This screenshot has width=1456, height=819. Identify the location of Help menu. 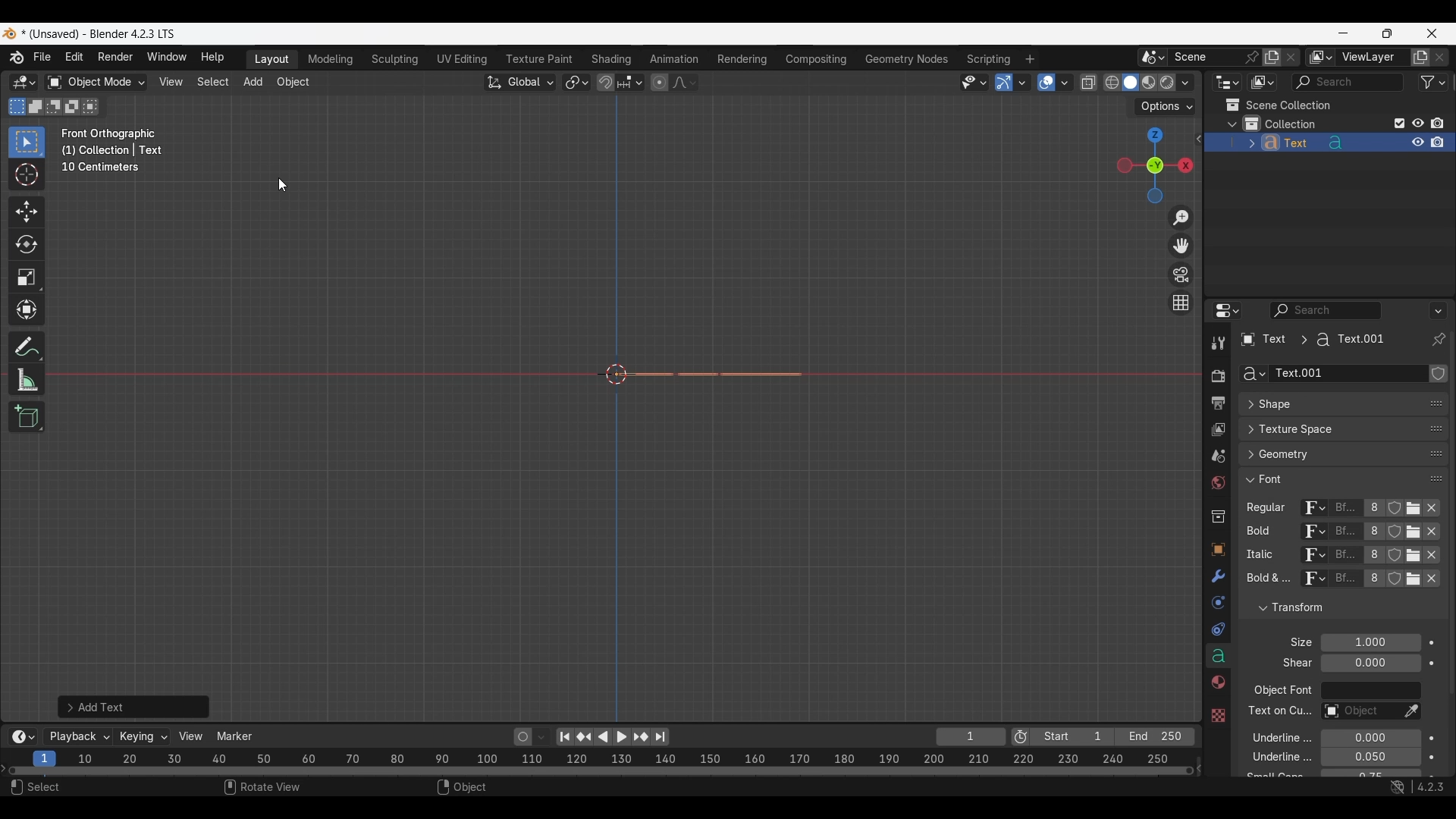
(211, 58).